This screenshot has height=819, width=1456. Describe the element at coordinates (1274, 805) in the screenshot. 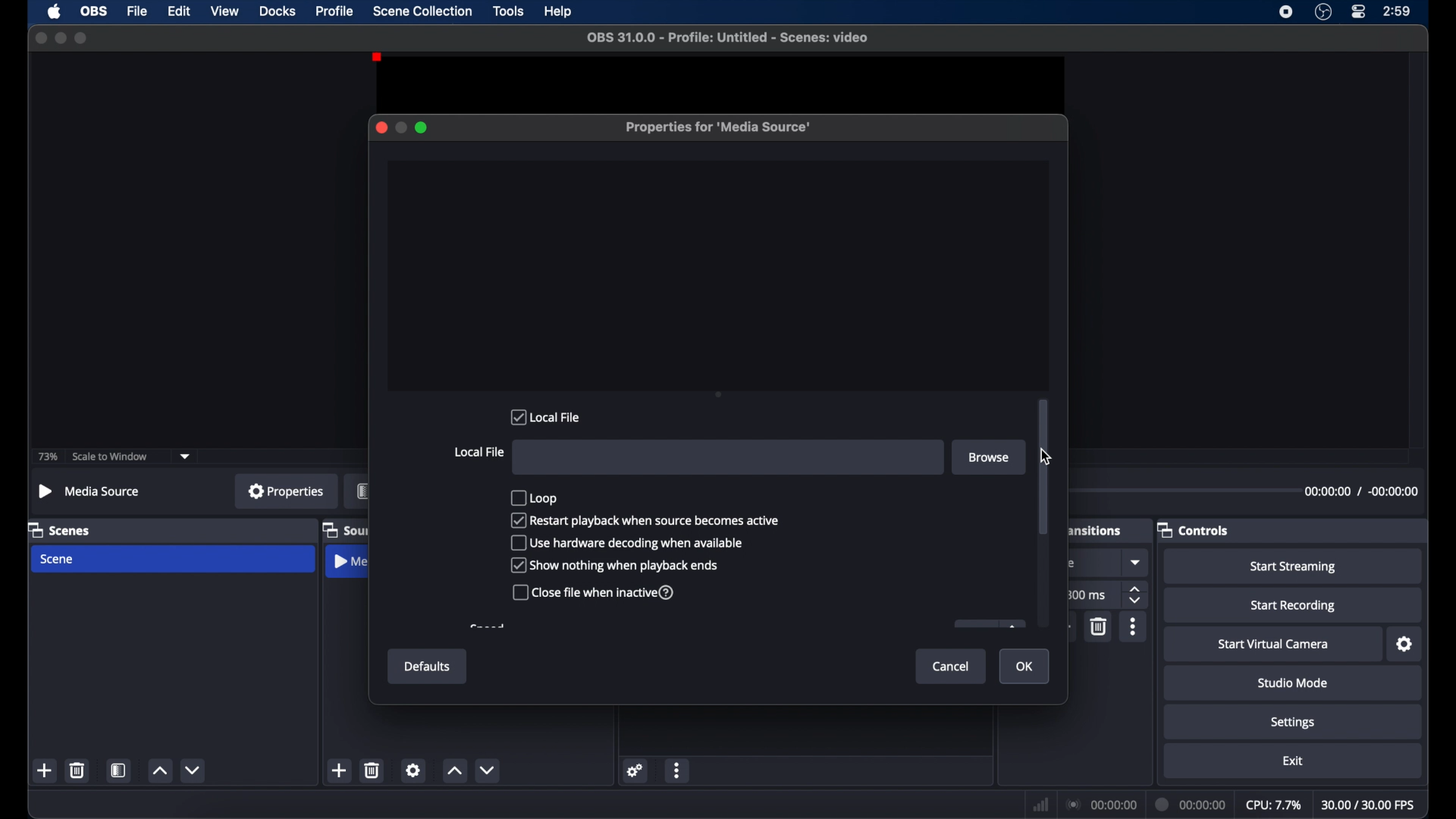

I see `cpu` at that location.